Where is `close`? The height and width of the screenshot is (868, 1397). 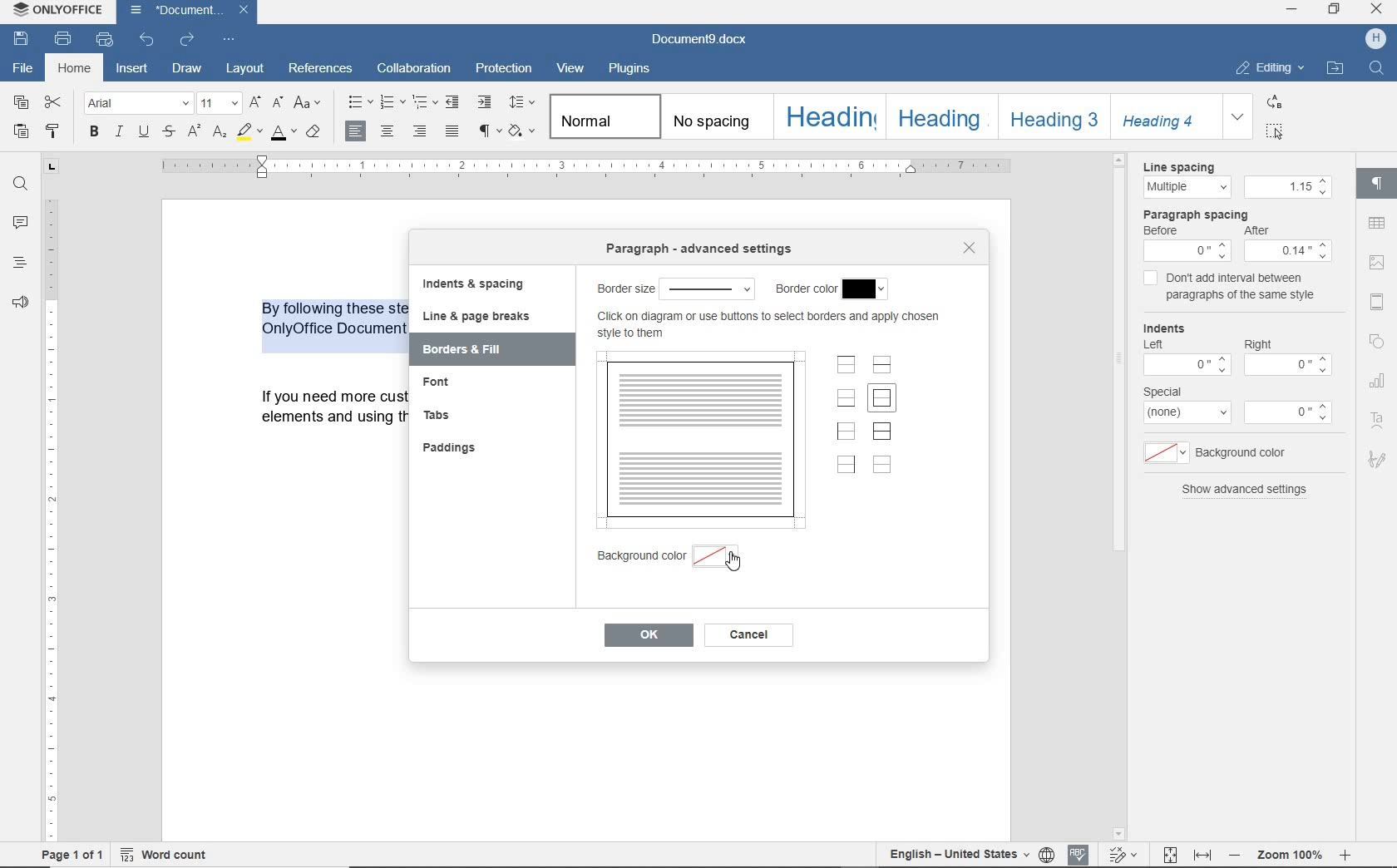
close is located at coordinates (970, 248).